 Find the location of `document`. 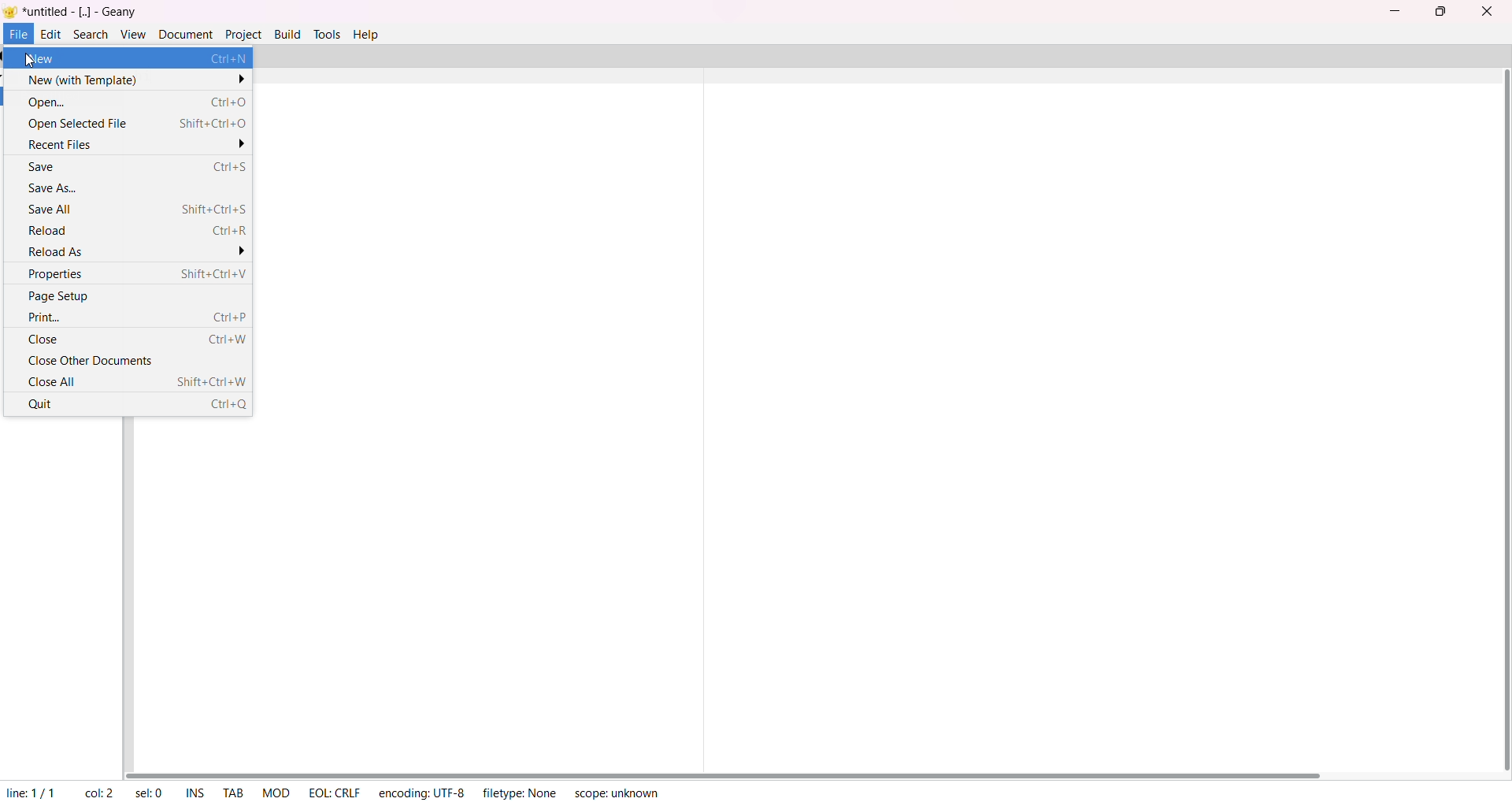

document is located at coordinates (185, 33).